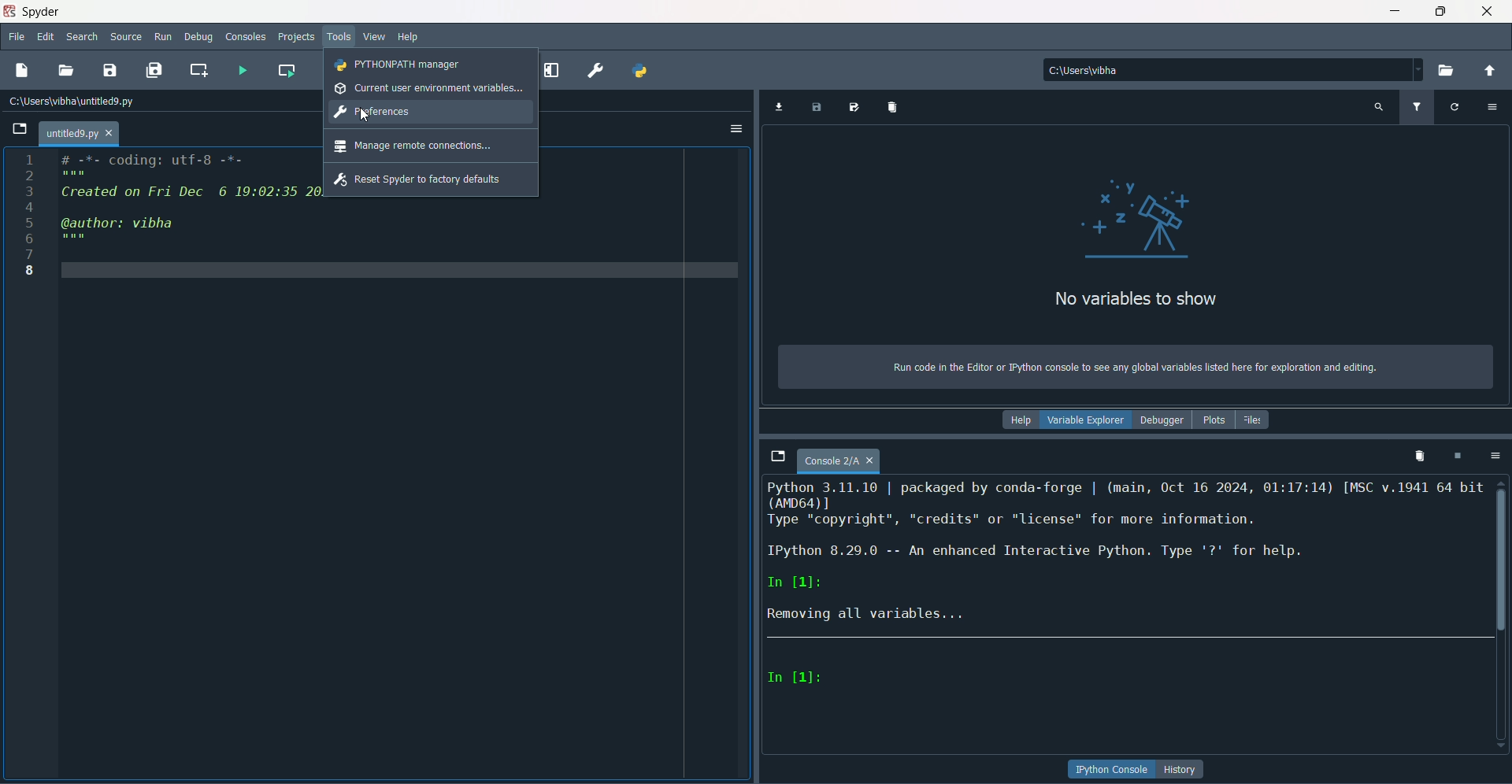 The height and width of the screenshot is (784, 1512). Describe the element at coordinates (82, 39) in the screenshot. I see `search` at that location.